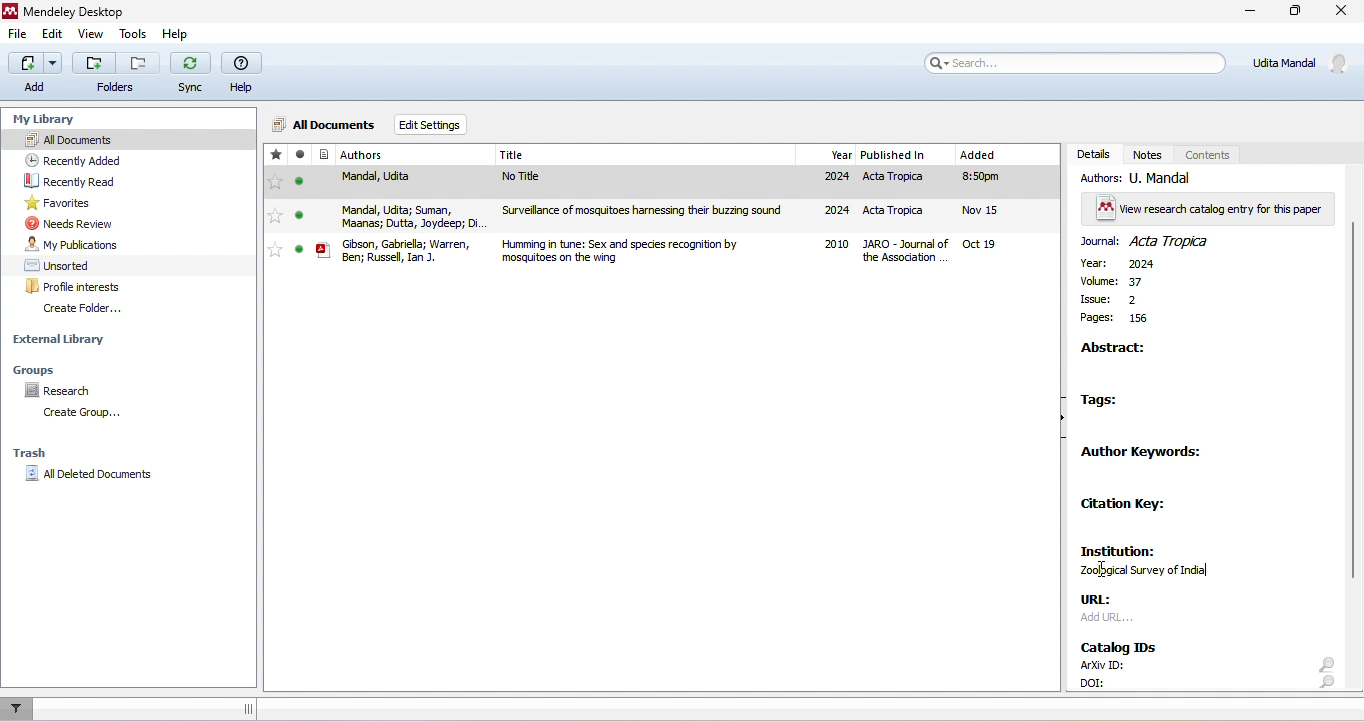 The height and width of the screenshot is (722, 1364). I want to click on vertical scroll bar, so click(1352, 403).